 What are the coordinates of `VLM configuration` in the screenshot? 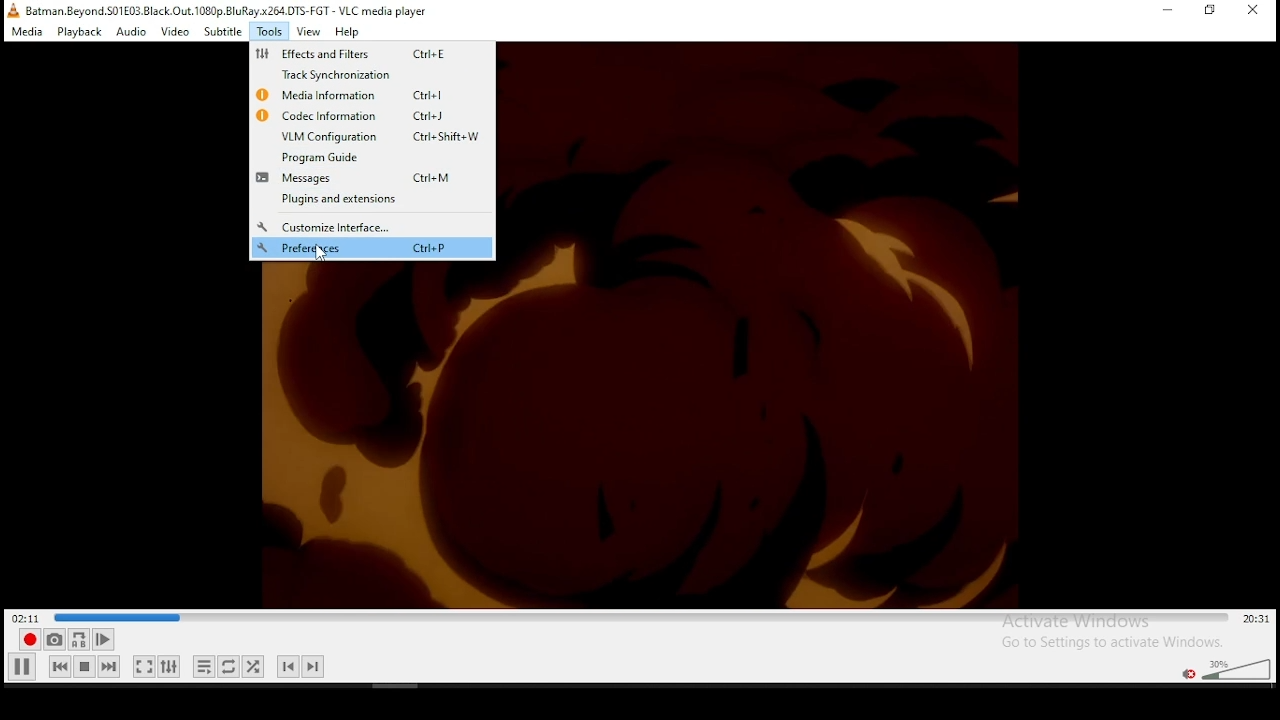 It's located at (372, 136).